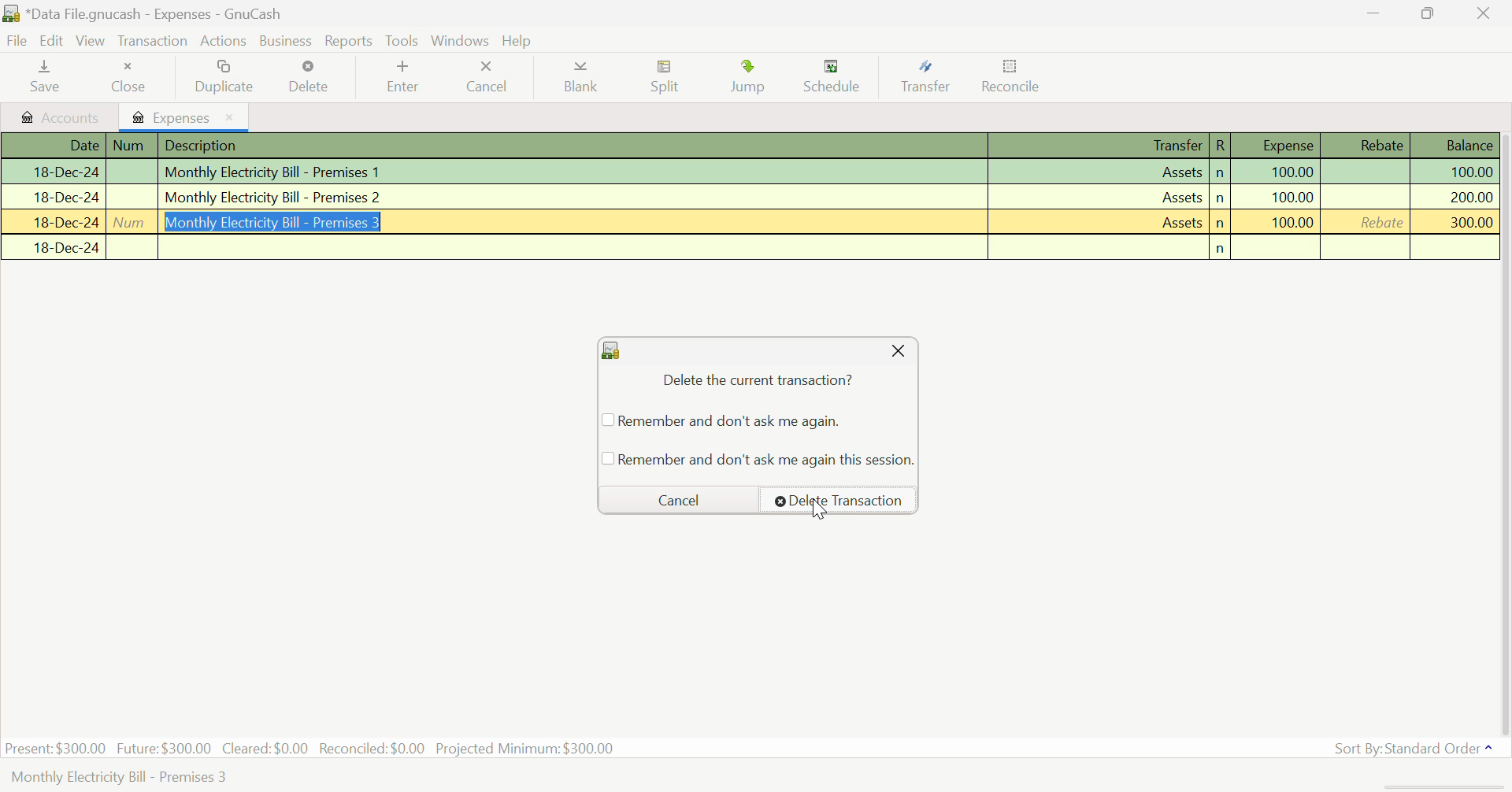 Image resolution: width=1512 pixels, height=792 pixels. I want to click on Save, so click(46, 77).